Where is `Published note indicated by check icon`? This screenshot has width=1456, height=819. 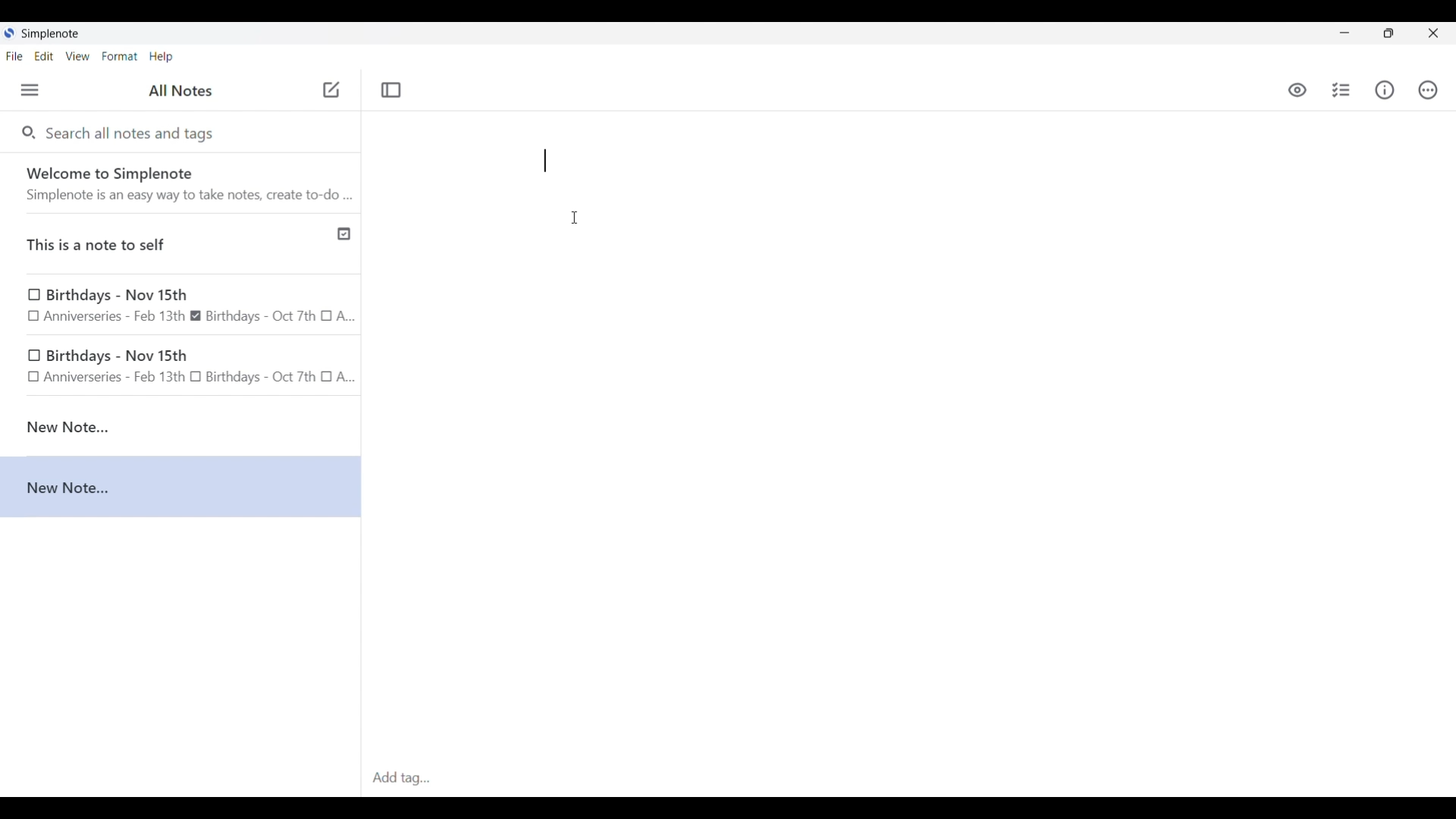
Published note indicated by check icon is located at coordinates (182, 244).